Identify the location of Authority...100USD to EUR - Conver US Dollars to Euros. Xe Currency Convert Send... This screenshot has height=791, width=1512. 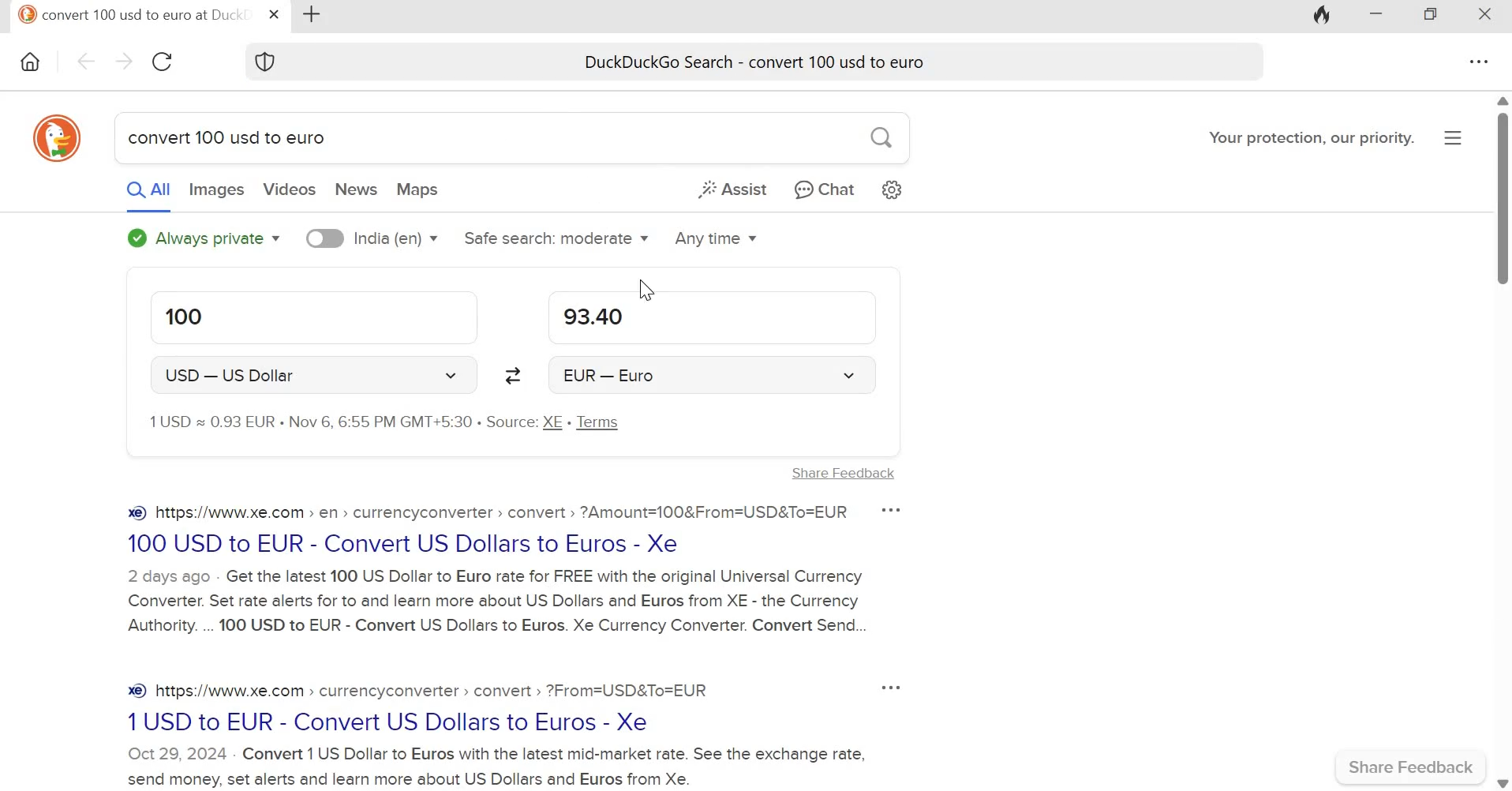
(496, 629).